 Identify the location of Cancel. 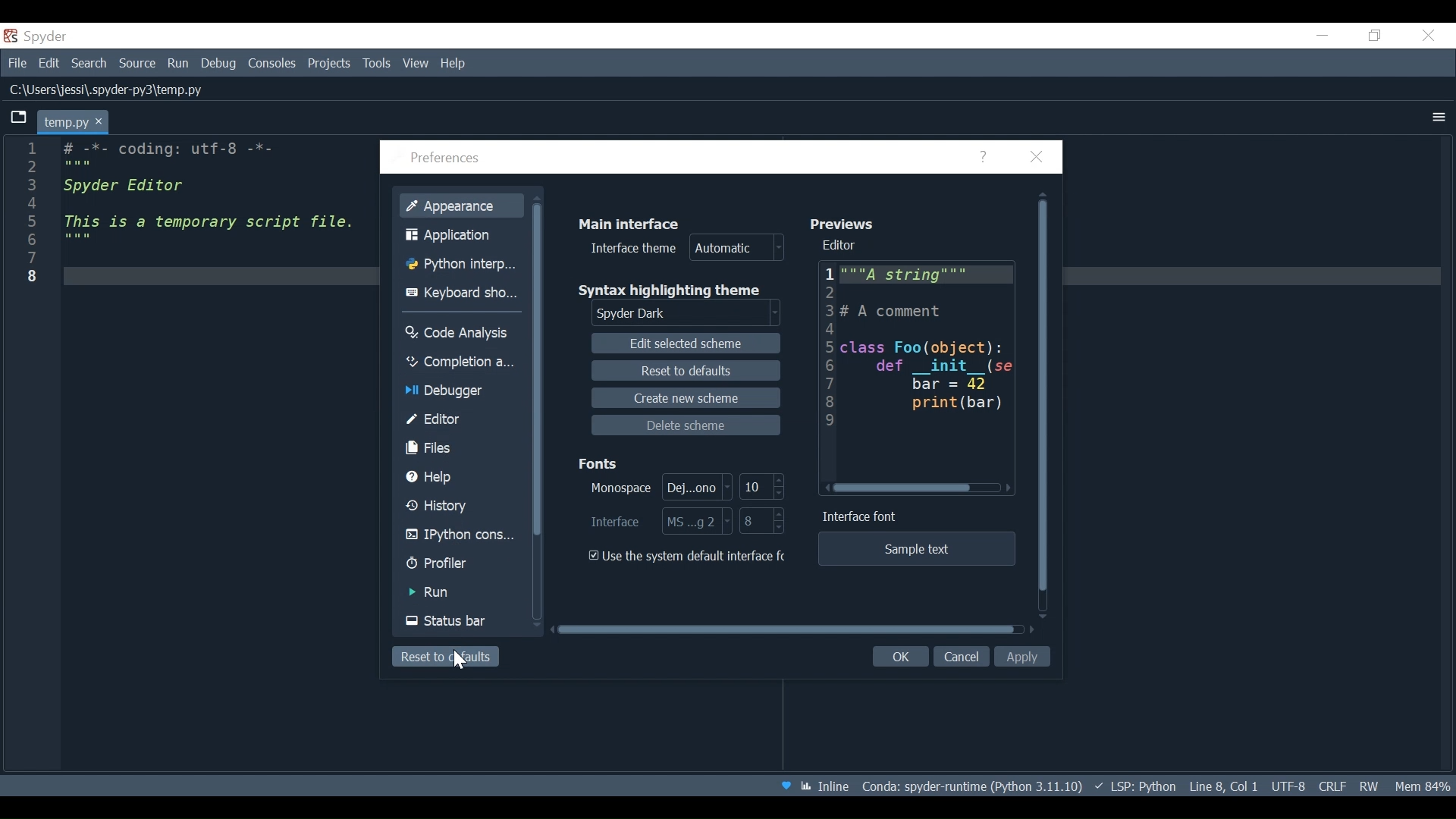
(961, 657).